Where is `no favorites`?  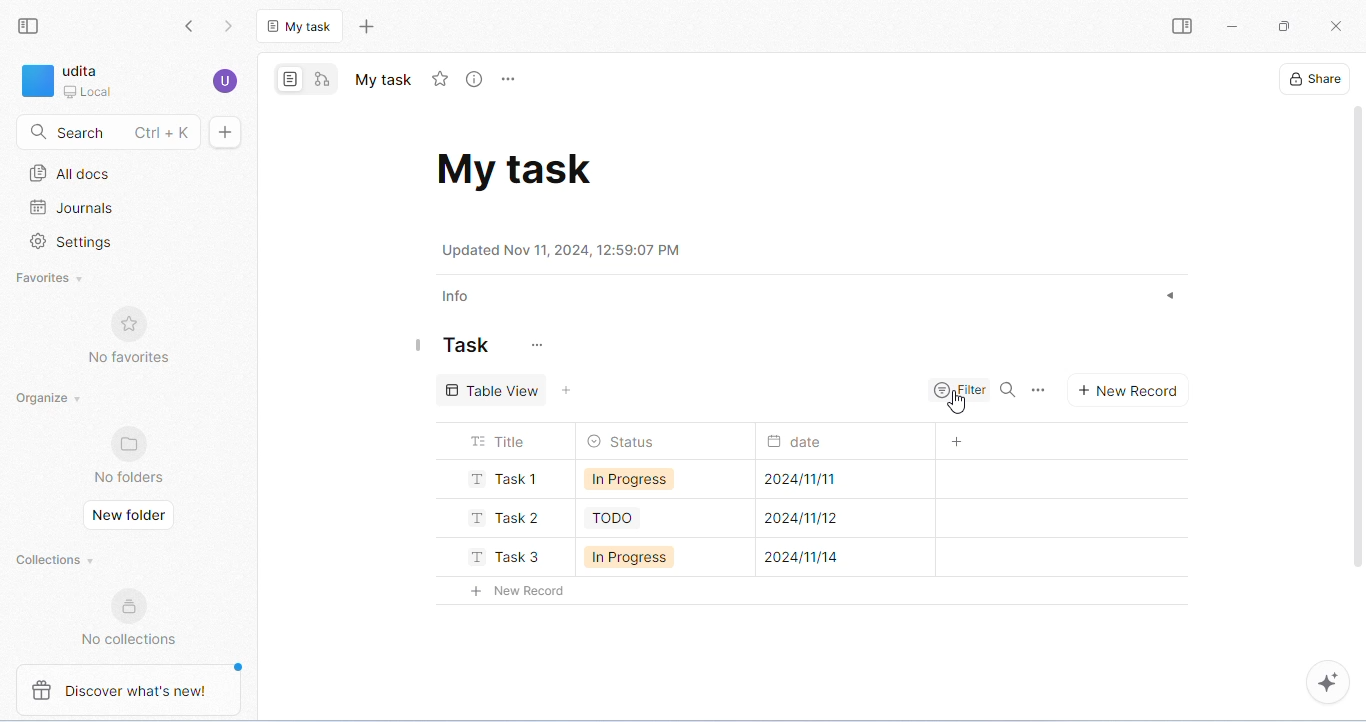
no favorites is located at coordinates (127, 359).